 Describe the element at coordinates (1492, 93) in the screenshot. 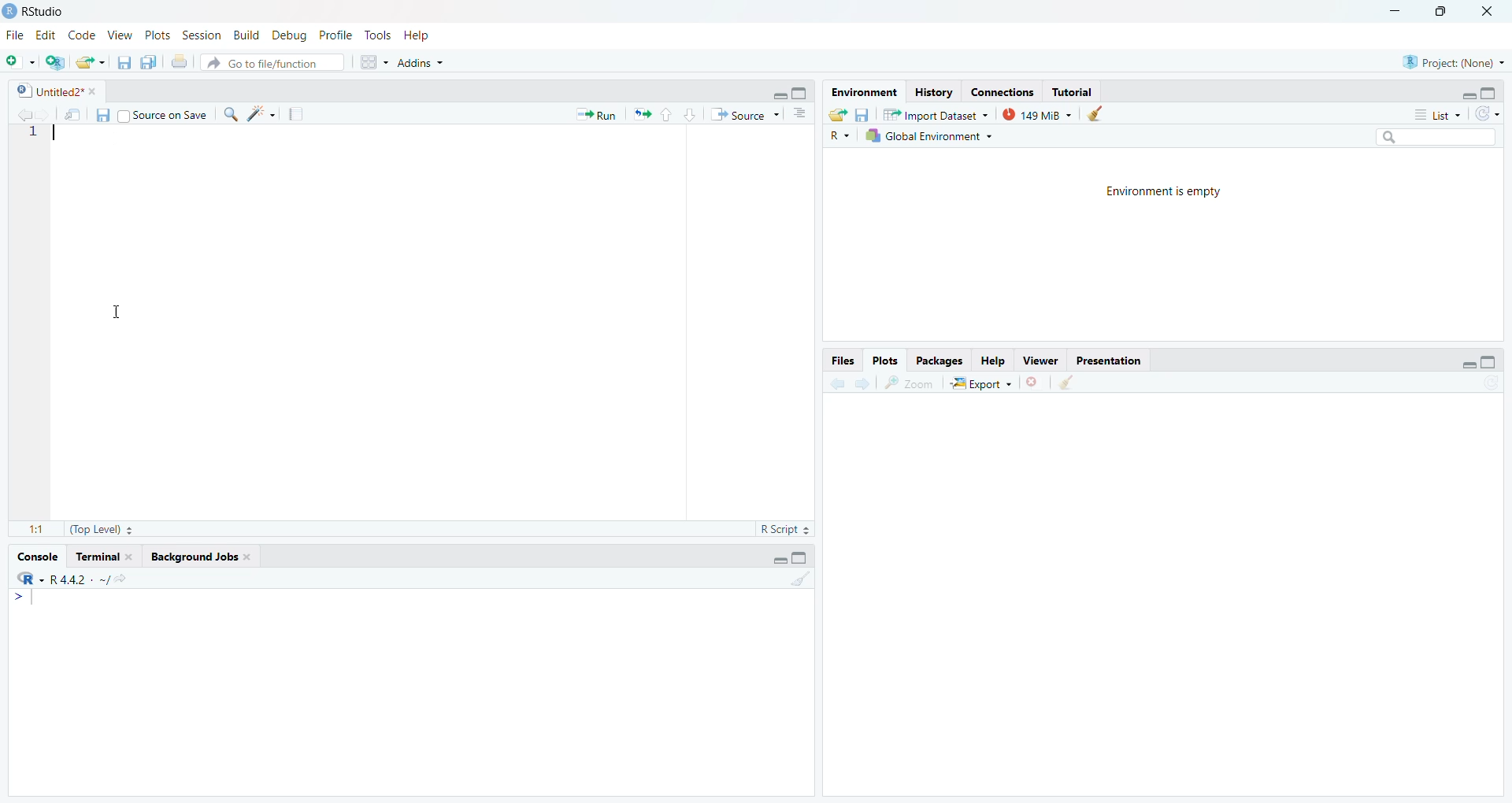

I see `Maximize` at that location.